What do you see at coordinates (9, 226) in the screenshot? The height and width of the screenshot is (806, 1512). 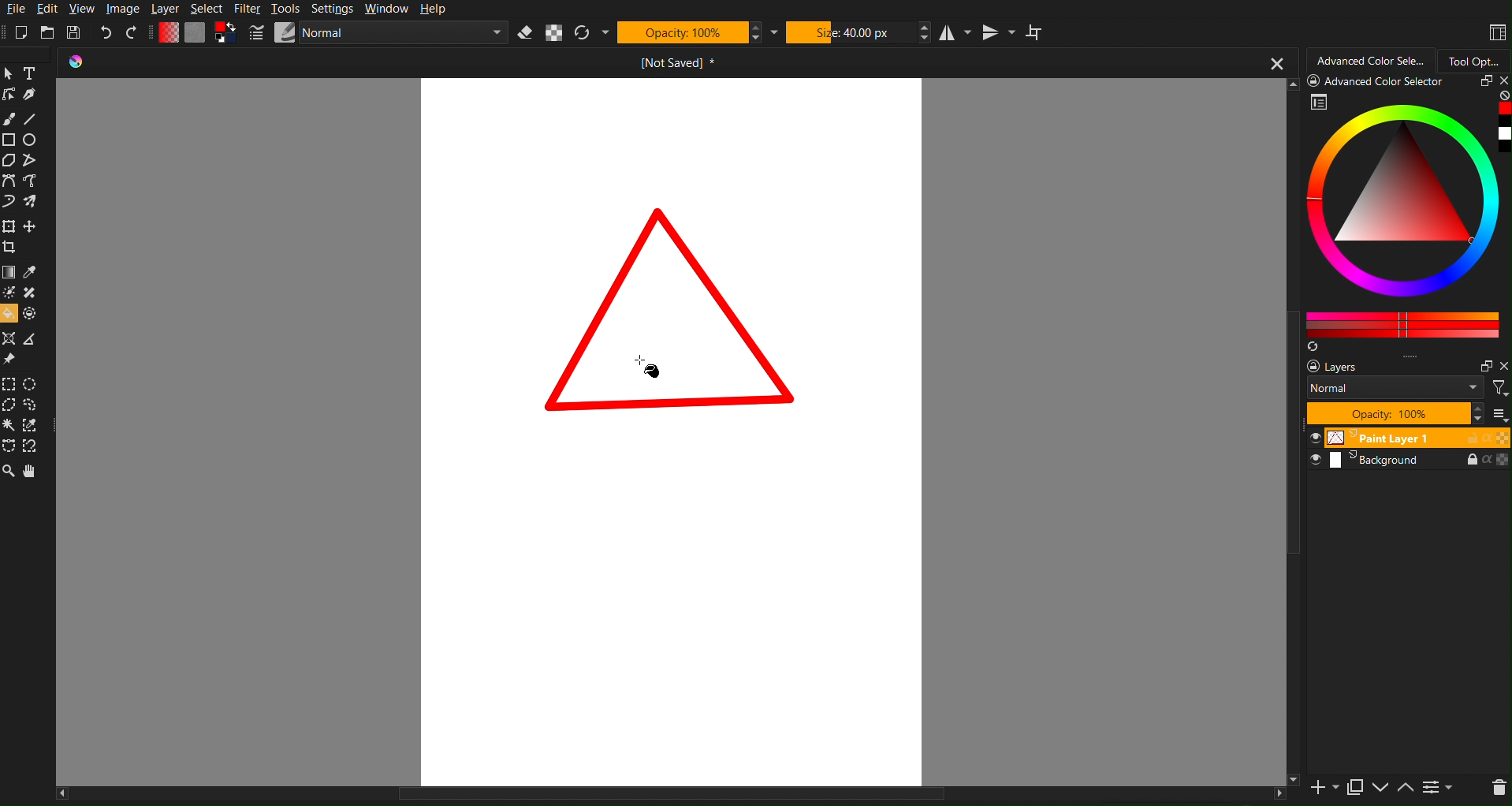 I see `transform a layer or a selection` at bounding box center [9, 226].